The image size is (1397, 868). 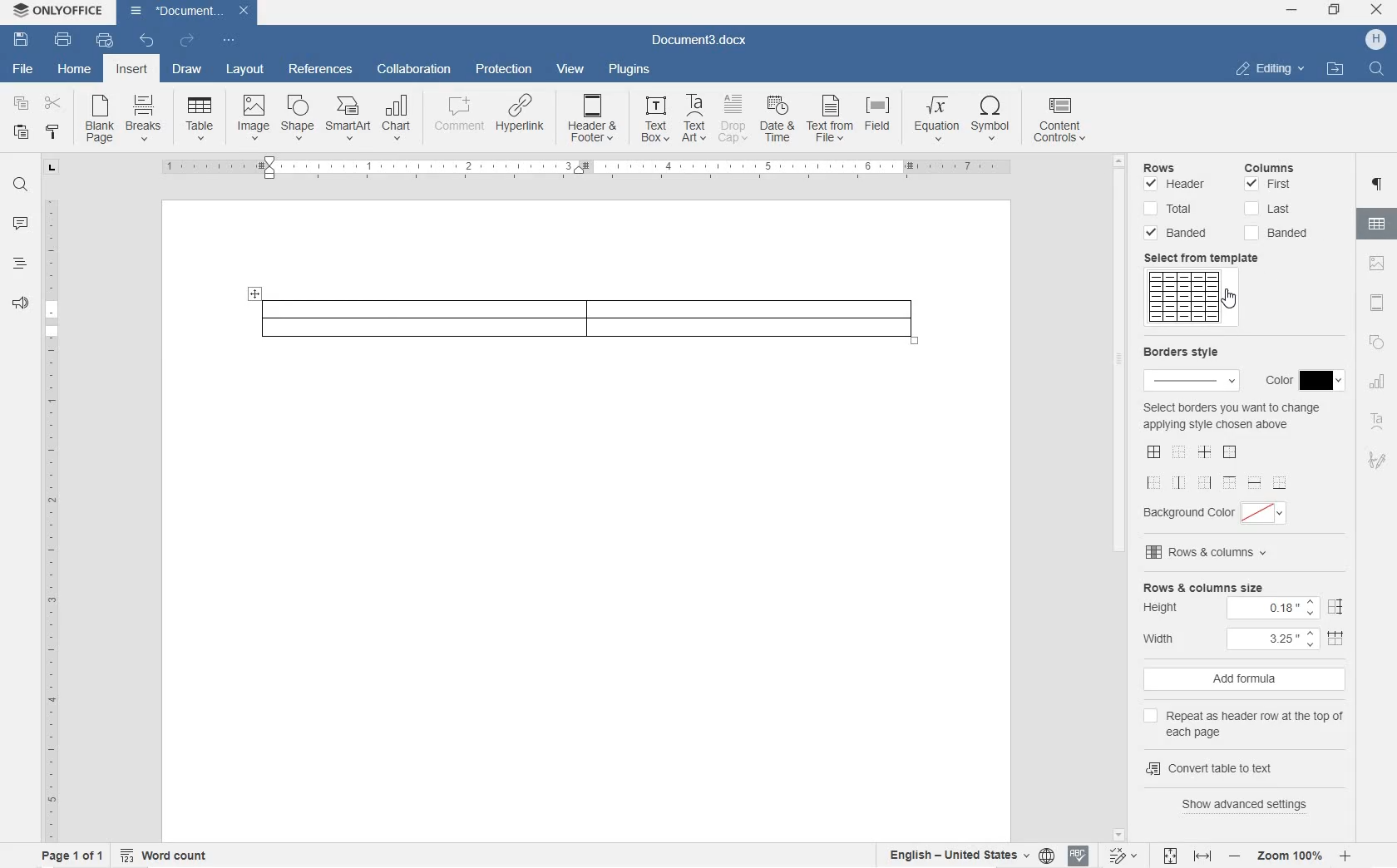 I want to click on inserted table, so click(x=583, y=318).